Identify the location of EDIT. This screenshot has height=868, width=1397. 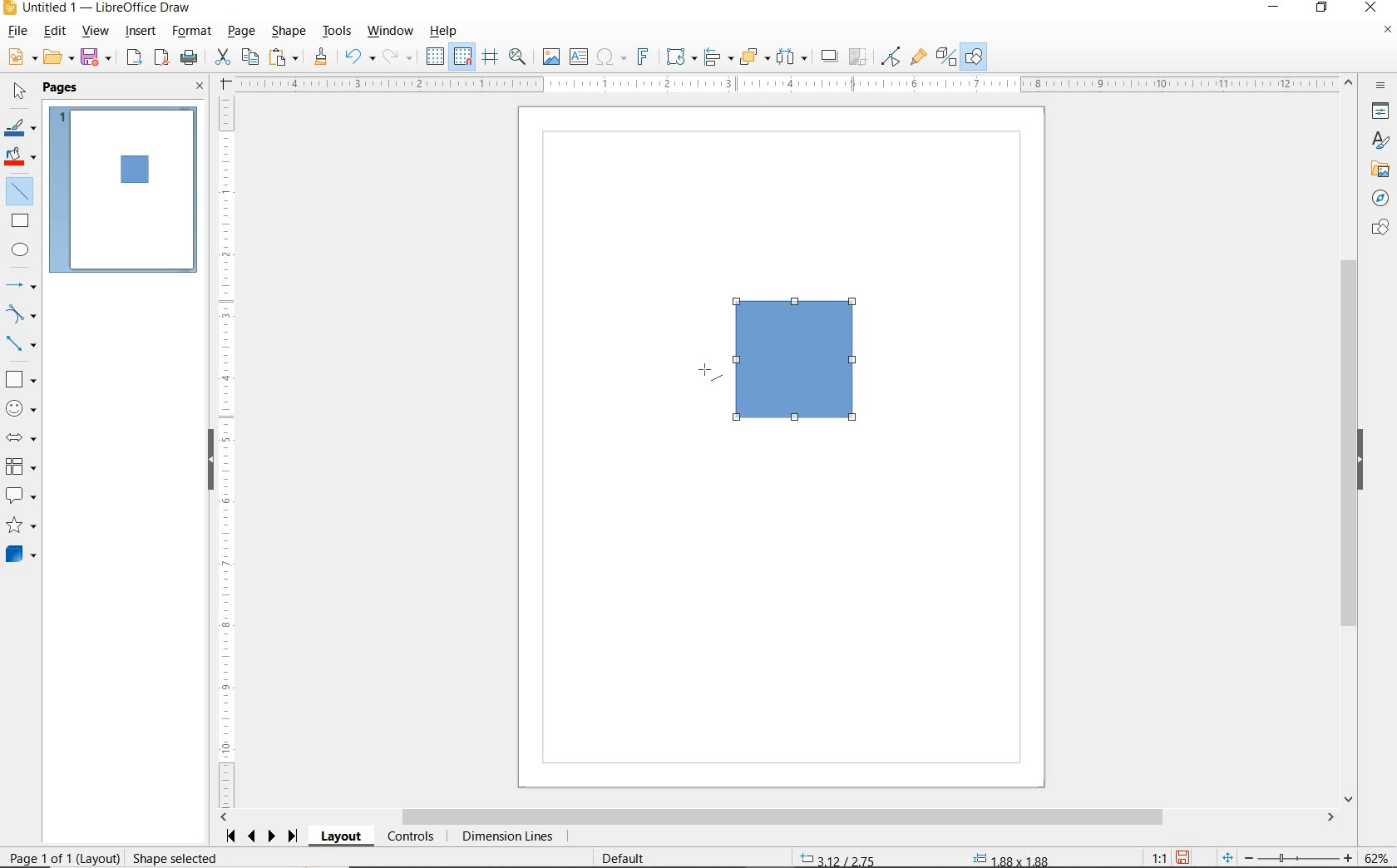
(55, 31).